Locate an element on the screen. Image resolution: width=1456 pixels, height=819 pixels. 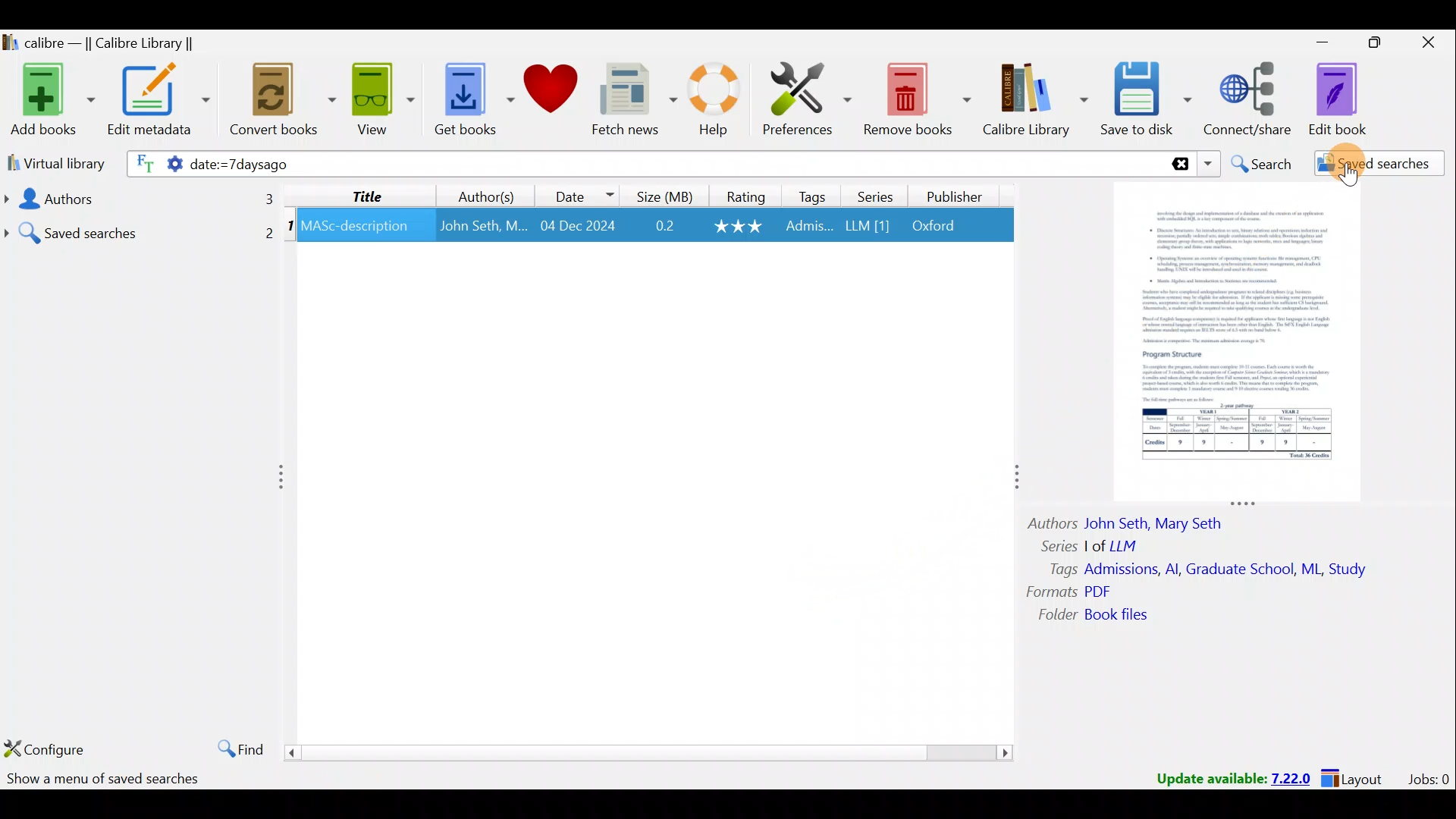
Help is located at coordinates (720, 102).